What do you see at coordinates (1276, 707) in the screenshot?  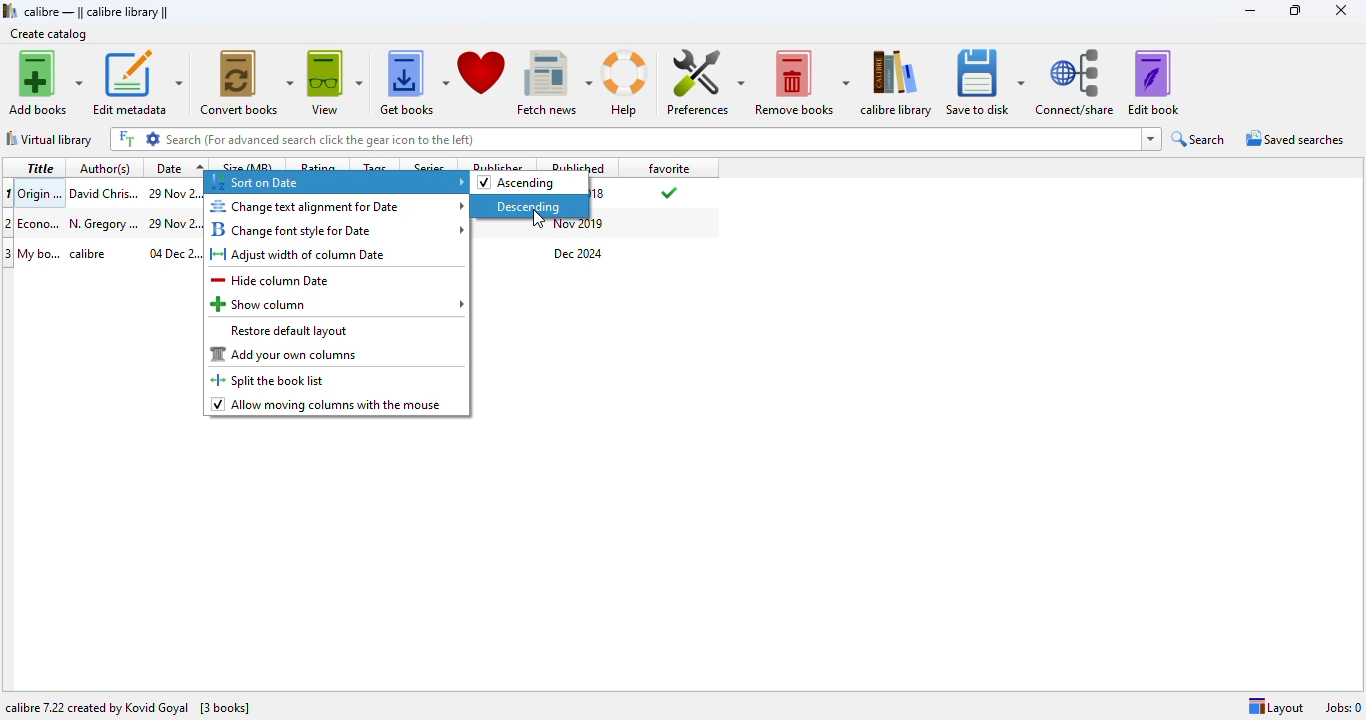 I see `layout` at bounding box center [1276, 707].